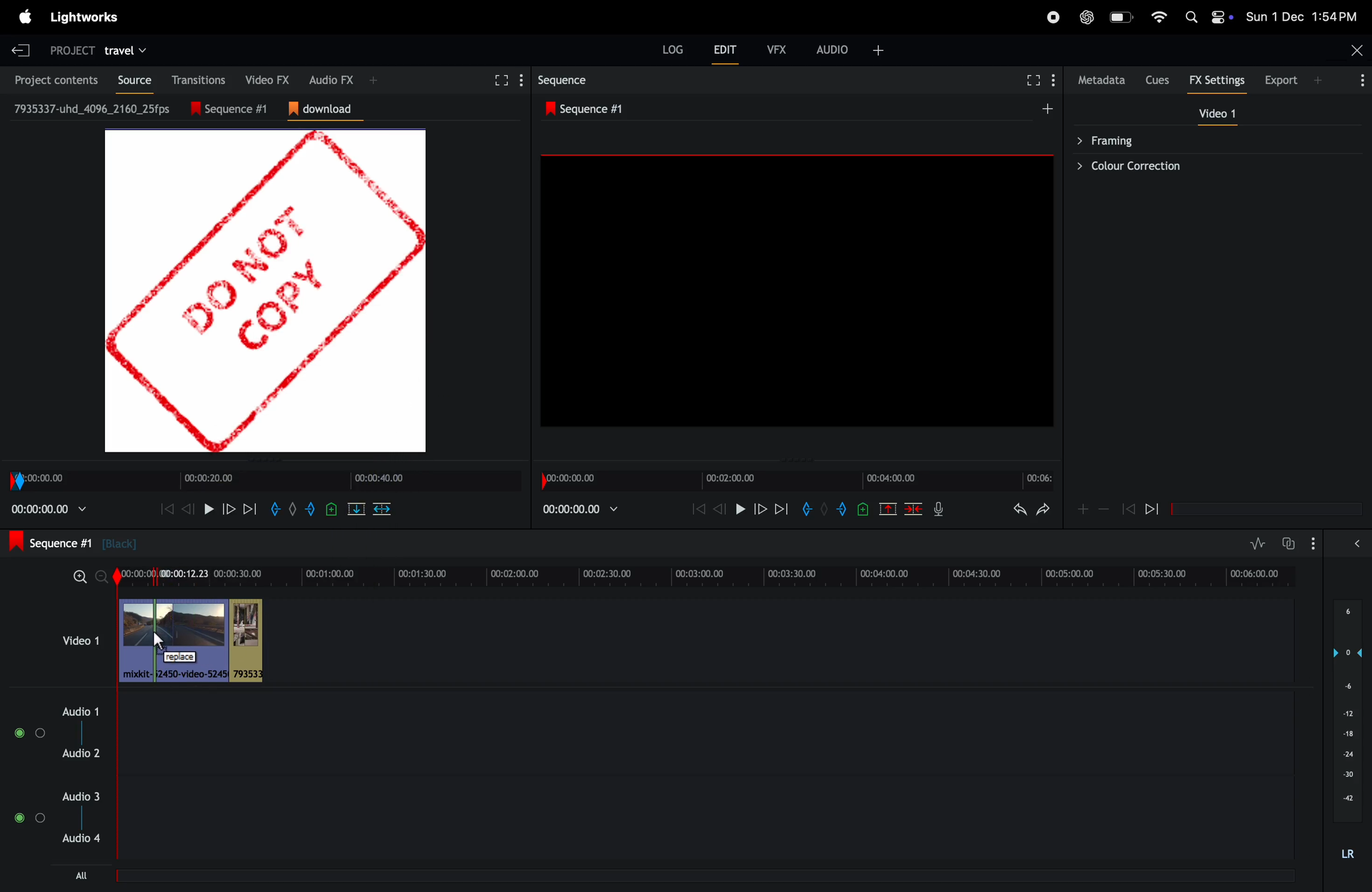  Describe the element at coordinates (263, 78) in the screenshot. I see `video fx` at that location.